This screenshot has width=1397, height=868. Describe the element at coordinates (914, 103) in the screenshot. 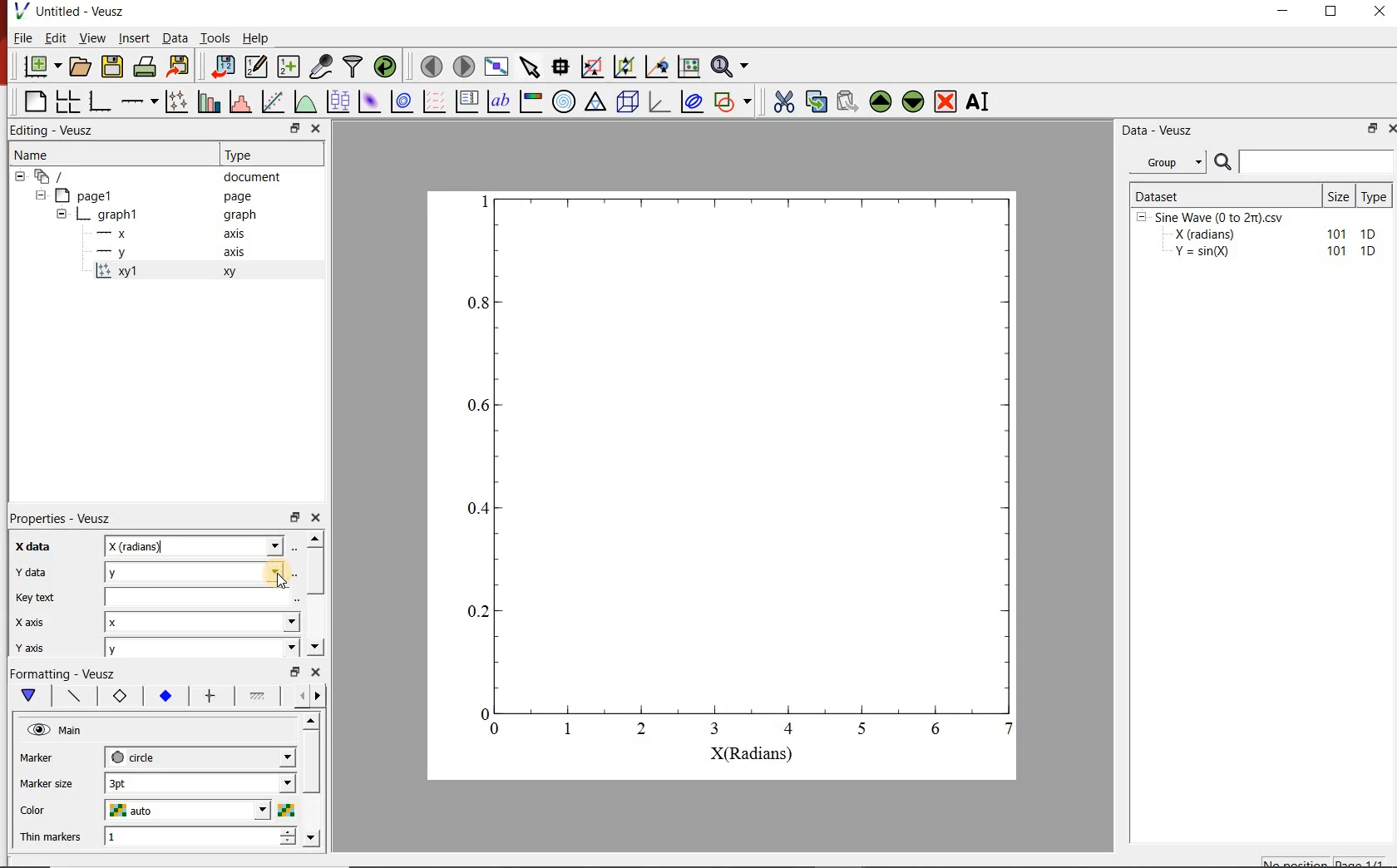

I see `move down` at that location.